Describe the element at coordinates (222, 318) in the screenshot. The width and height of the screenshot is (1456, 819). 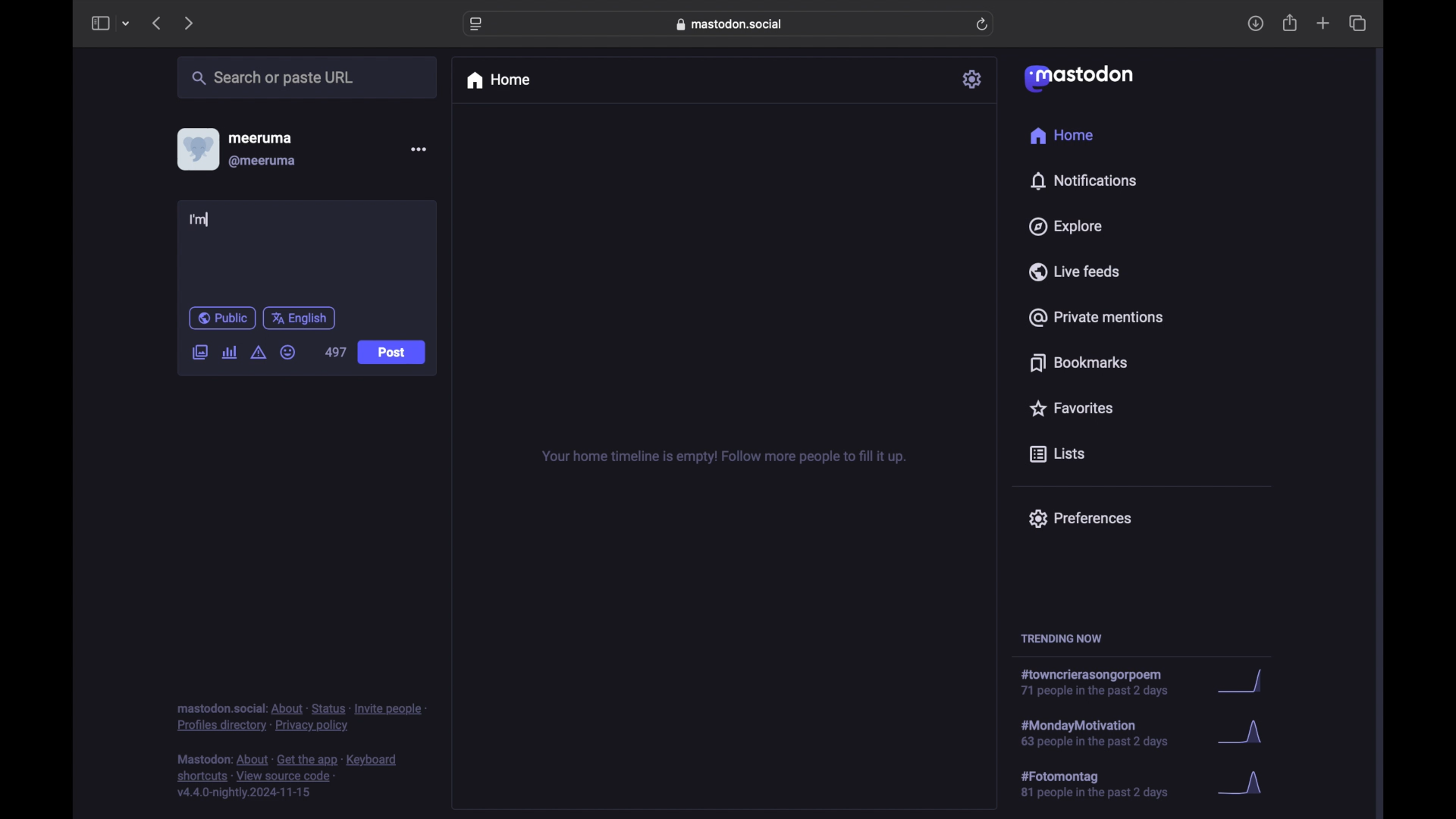
I see `public` at that location.